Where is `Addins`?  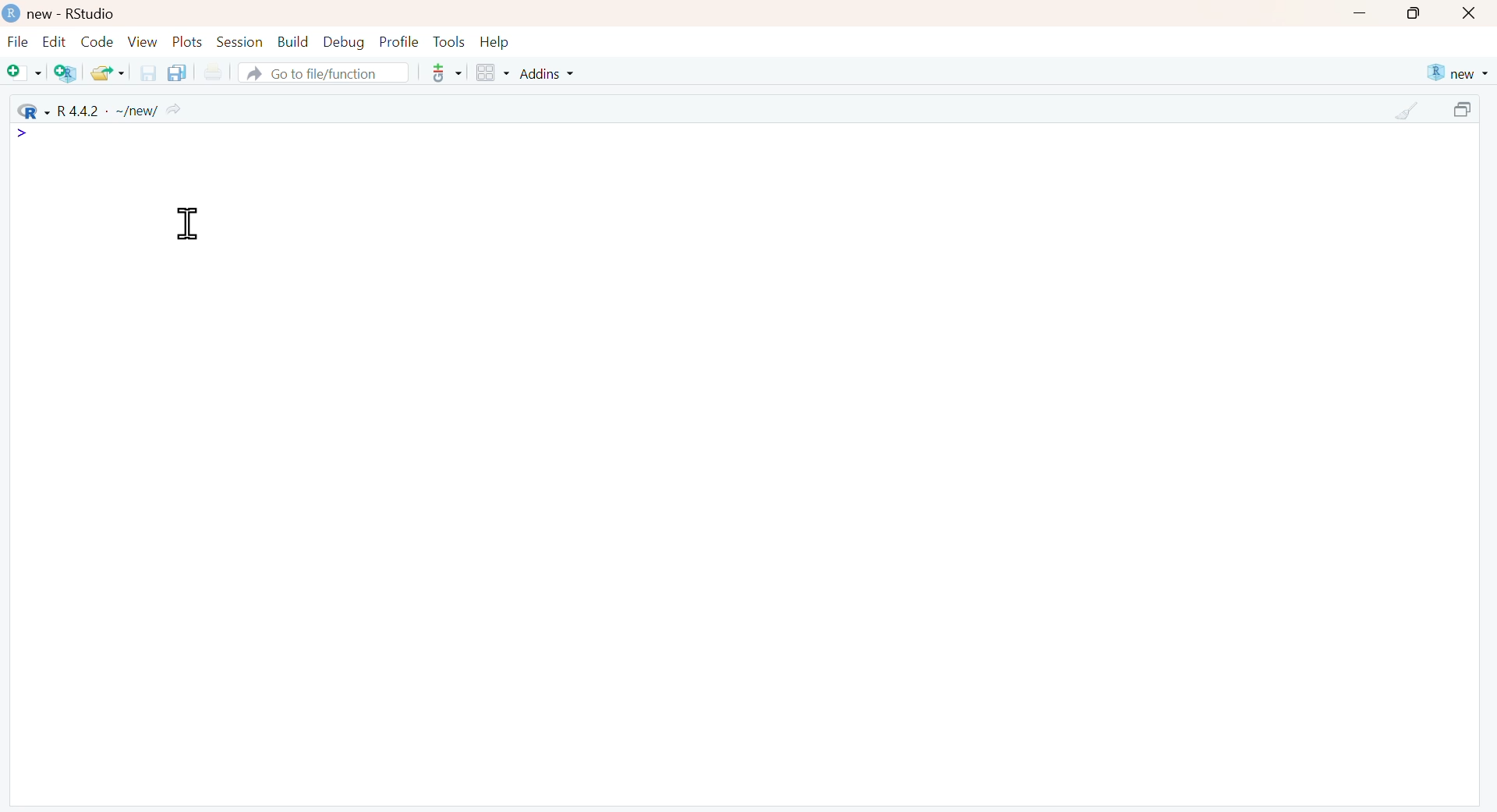 Addins is located at coordinates (548, 74).